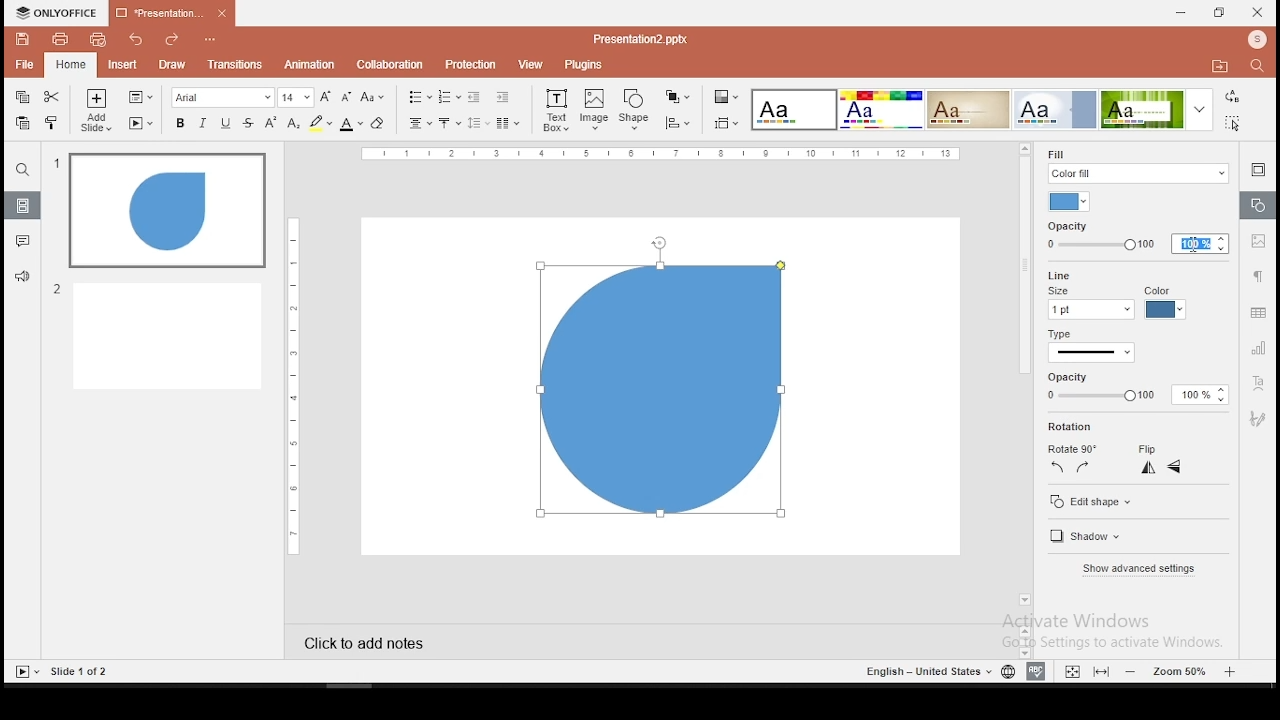  What do you see at coordinates (249, 122) in the screenshot?
I see `strikethrough` at bounding box center [249, 122].